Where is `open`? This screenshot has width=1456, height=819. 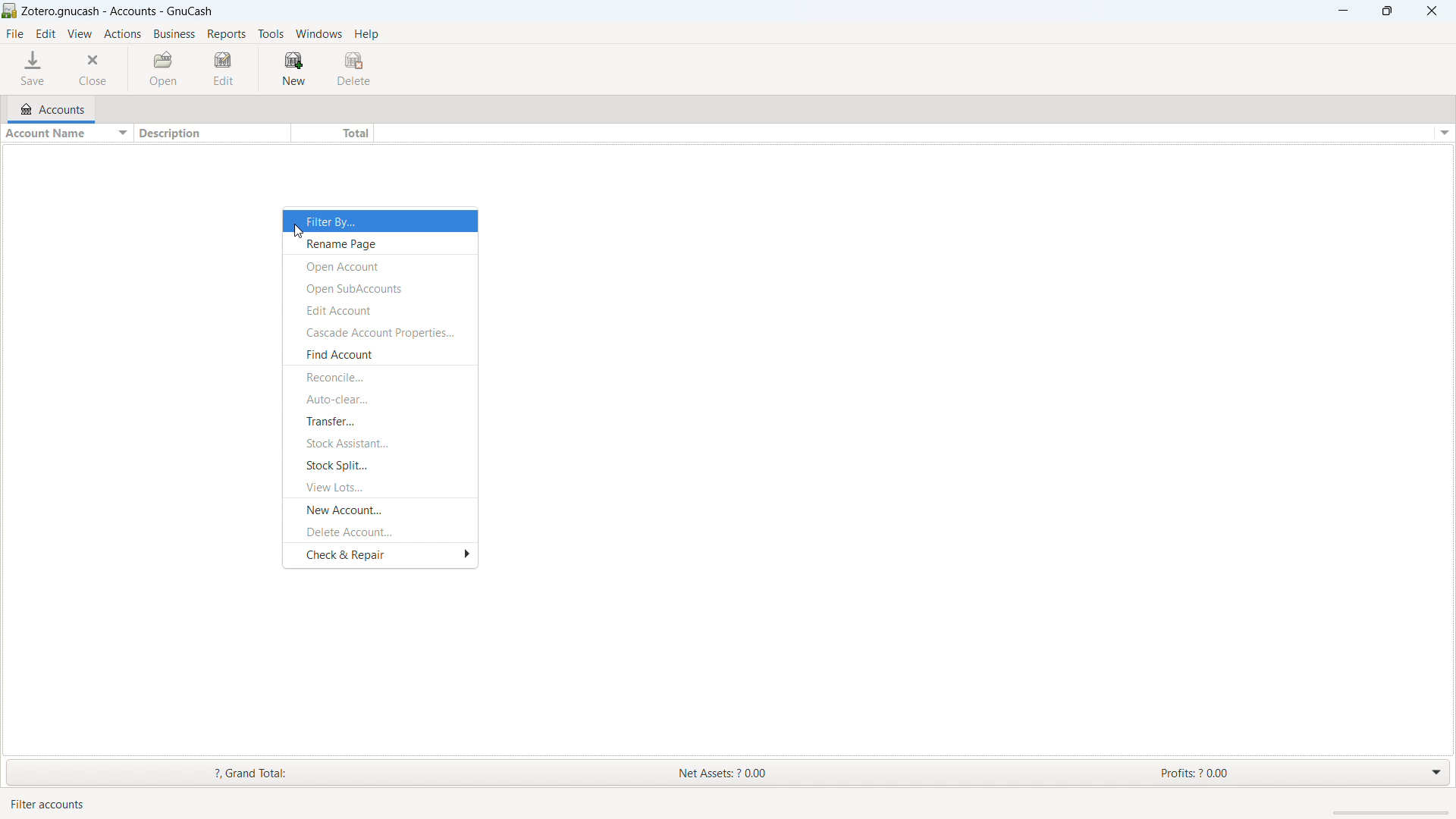
open is located at coordinates (166, 69).